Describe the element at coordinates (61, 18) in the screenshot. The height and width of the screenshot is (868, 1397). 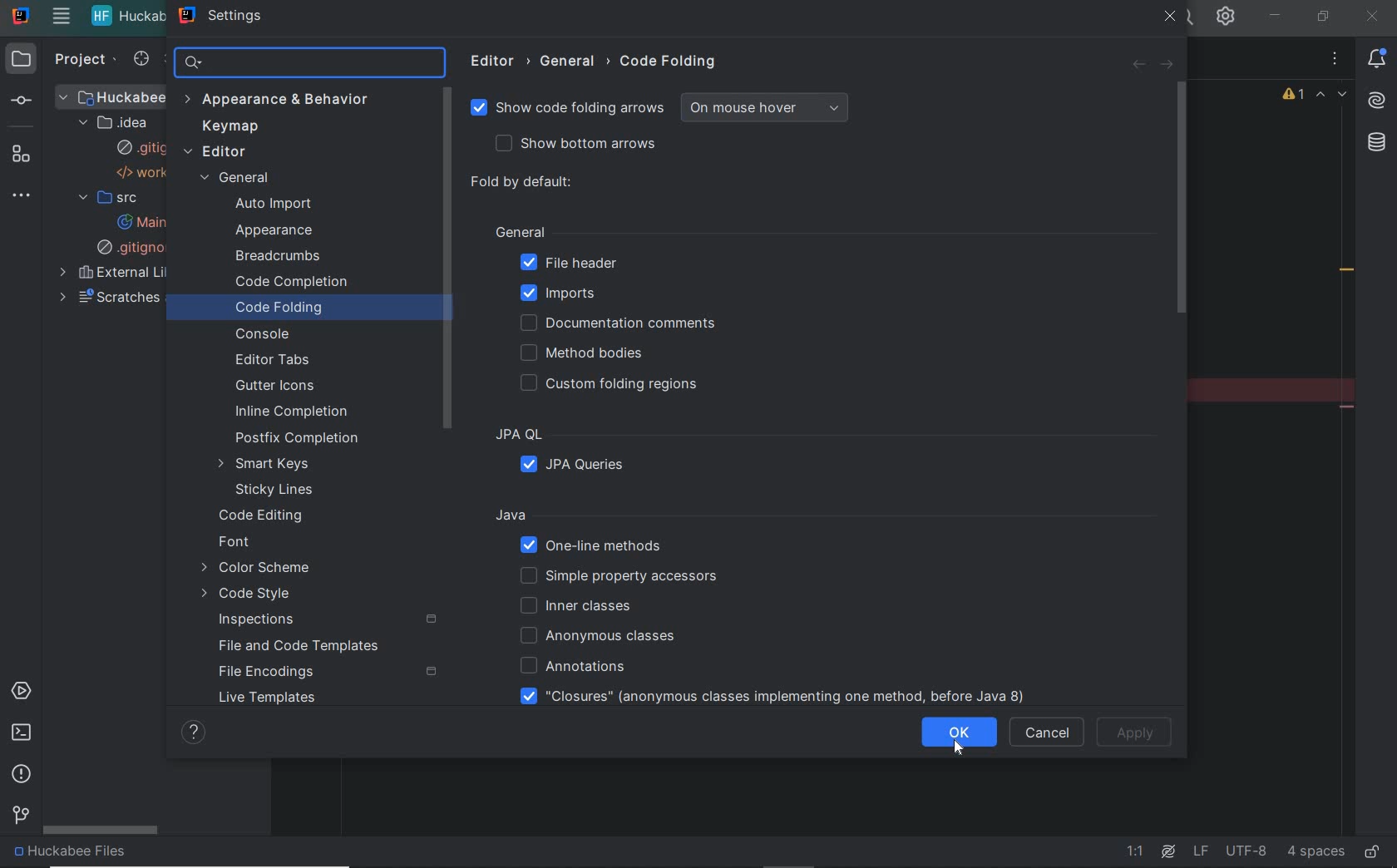
I see `main menu` at that location.